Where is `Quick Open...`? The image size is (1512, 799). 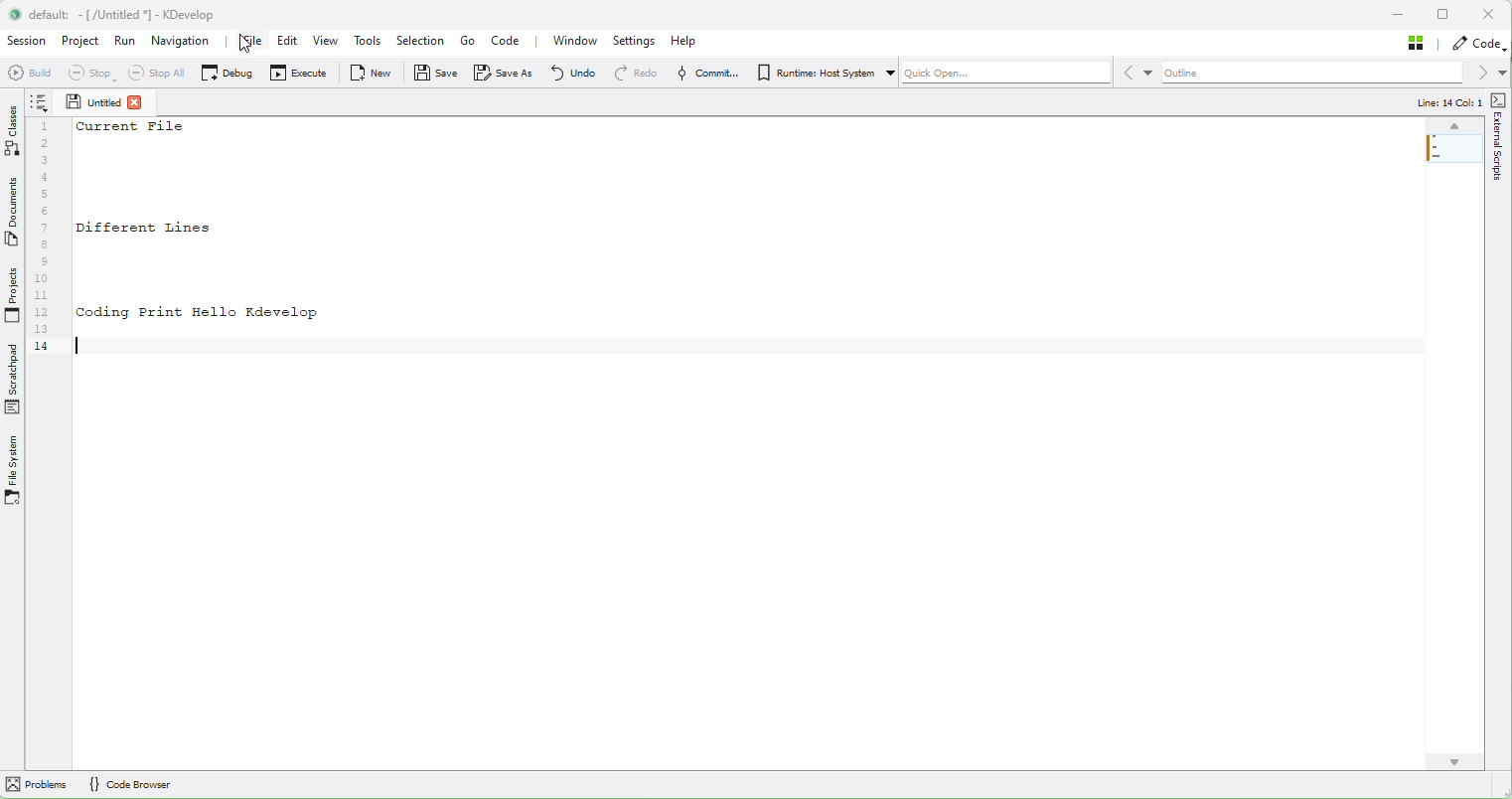 Quick Open... is located at coordinates (1030, 72).